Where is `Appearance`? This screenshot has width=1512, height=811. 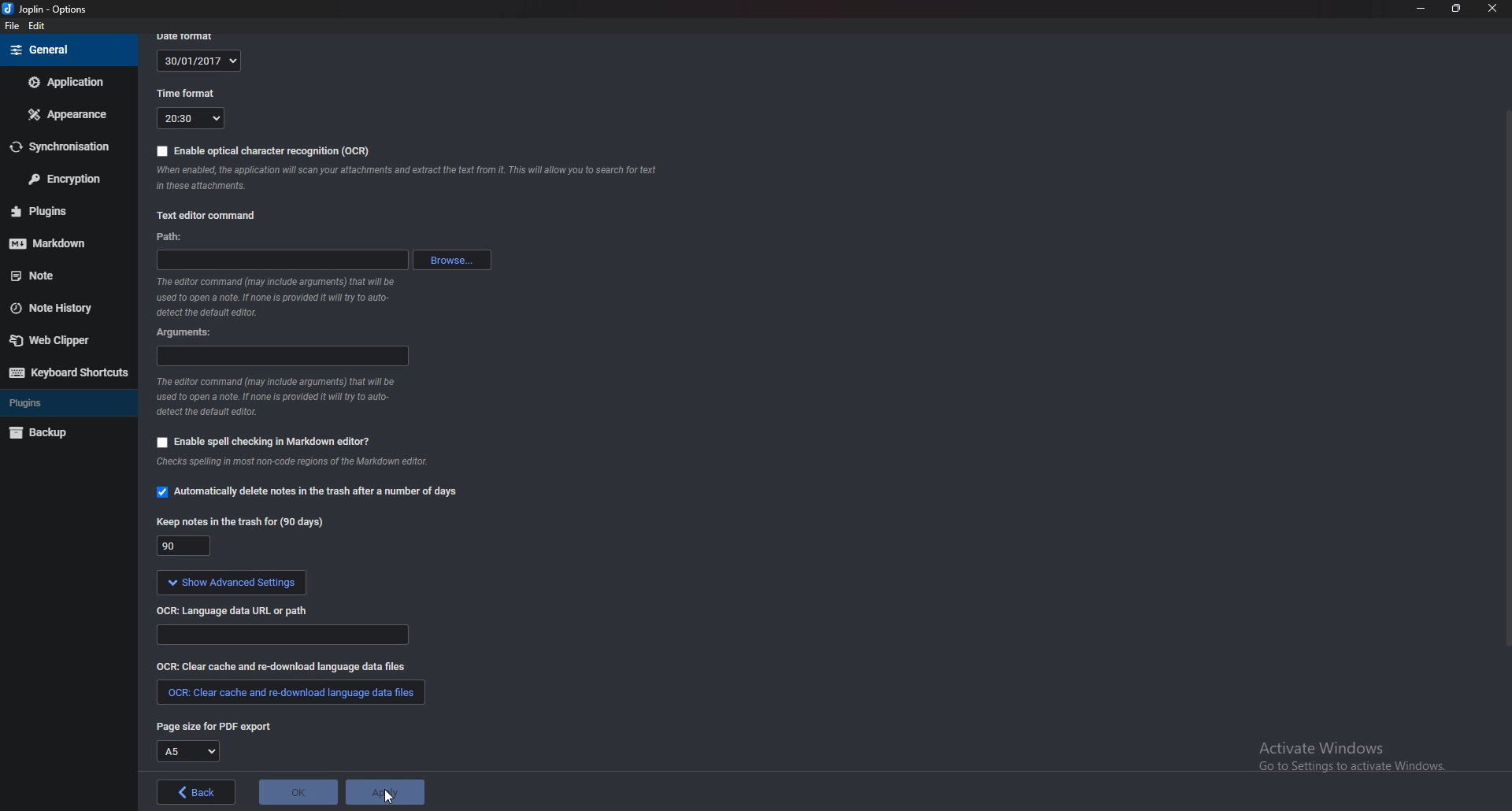 Appearance is located at coordinates (65, 115).